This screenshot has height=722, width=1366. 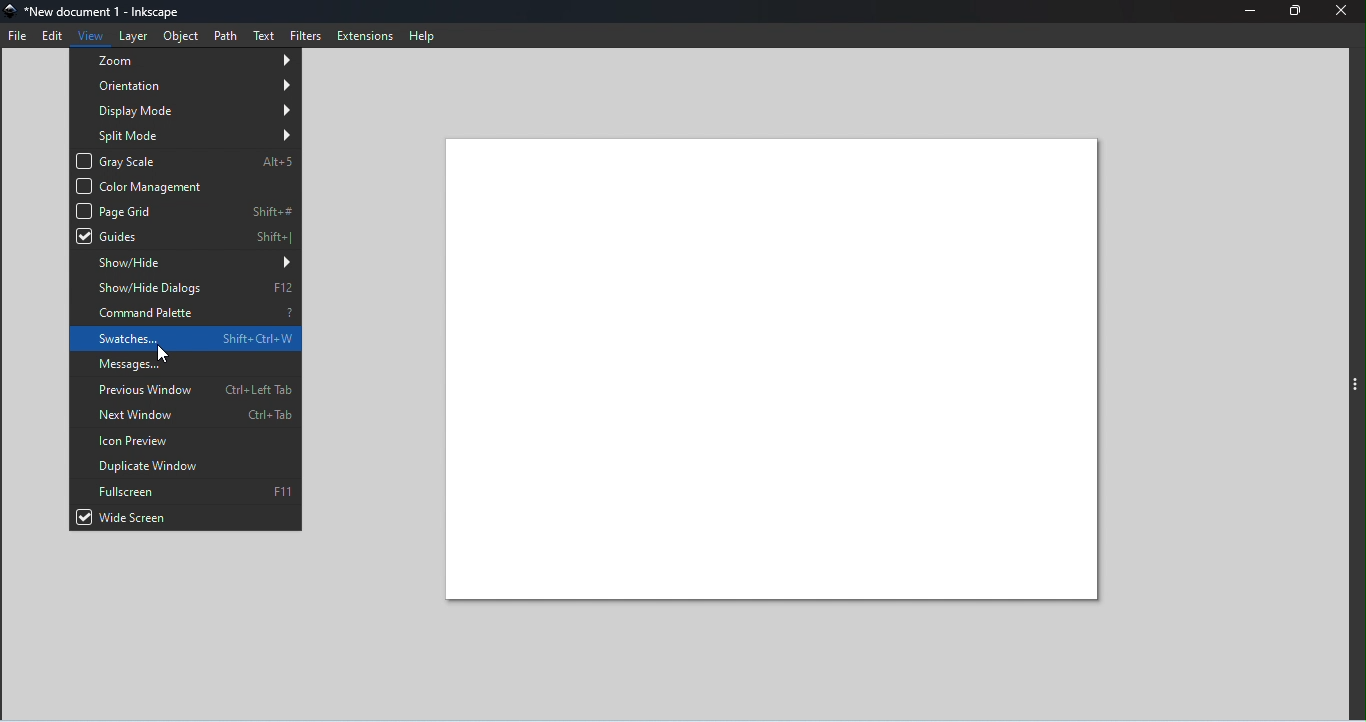 What do you see at coordinates (186, 286) in the screenshot?
I see `Show/hide dialogs` at bounding box center [186, 286].